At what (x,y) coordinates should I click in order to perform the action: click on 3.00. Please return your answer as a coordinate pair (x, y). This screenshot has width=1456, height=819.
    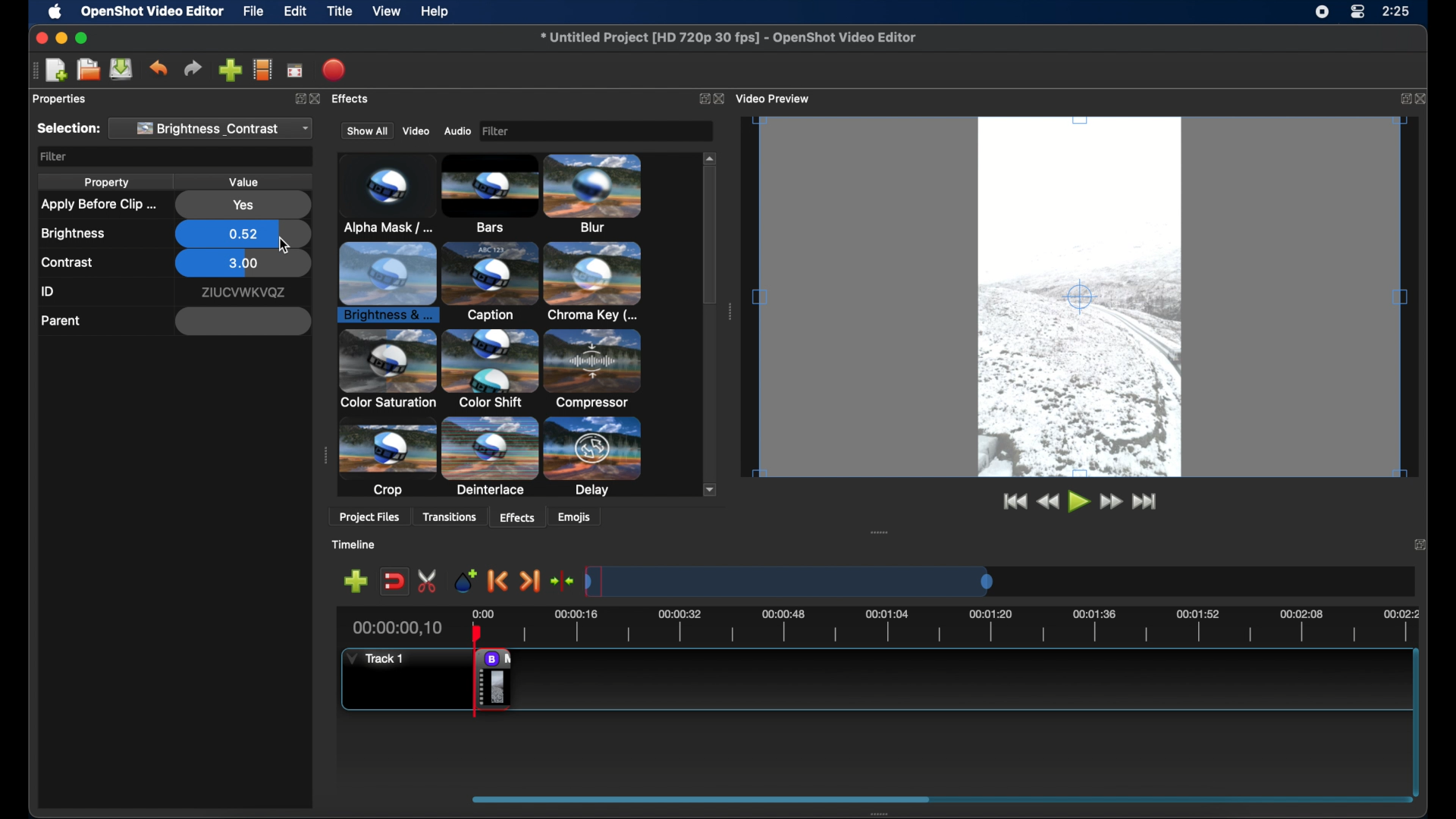
    Looking at the image, I should click on (243, 265).